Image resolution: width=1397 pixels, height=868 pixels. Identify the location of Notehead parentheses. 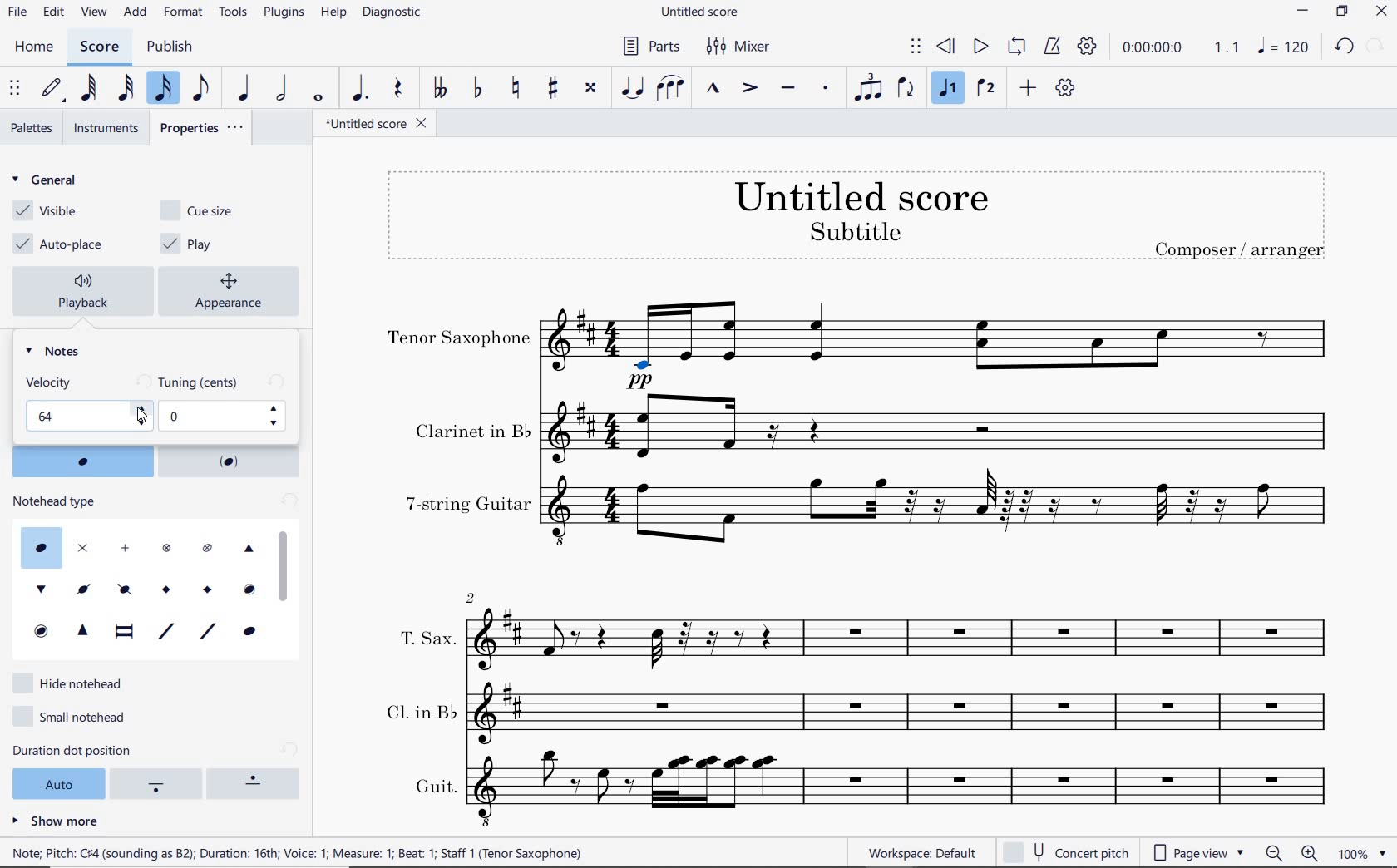
(231, 461).